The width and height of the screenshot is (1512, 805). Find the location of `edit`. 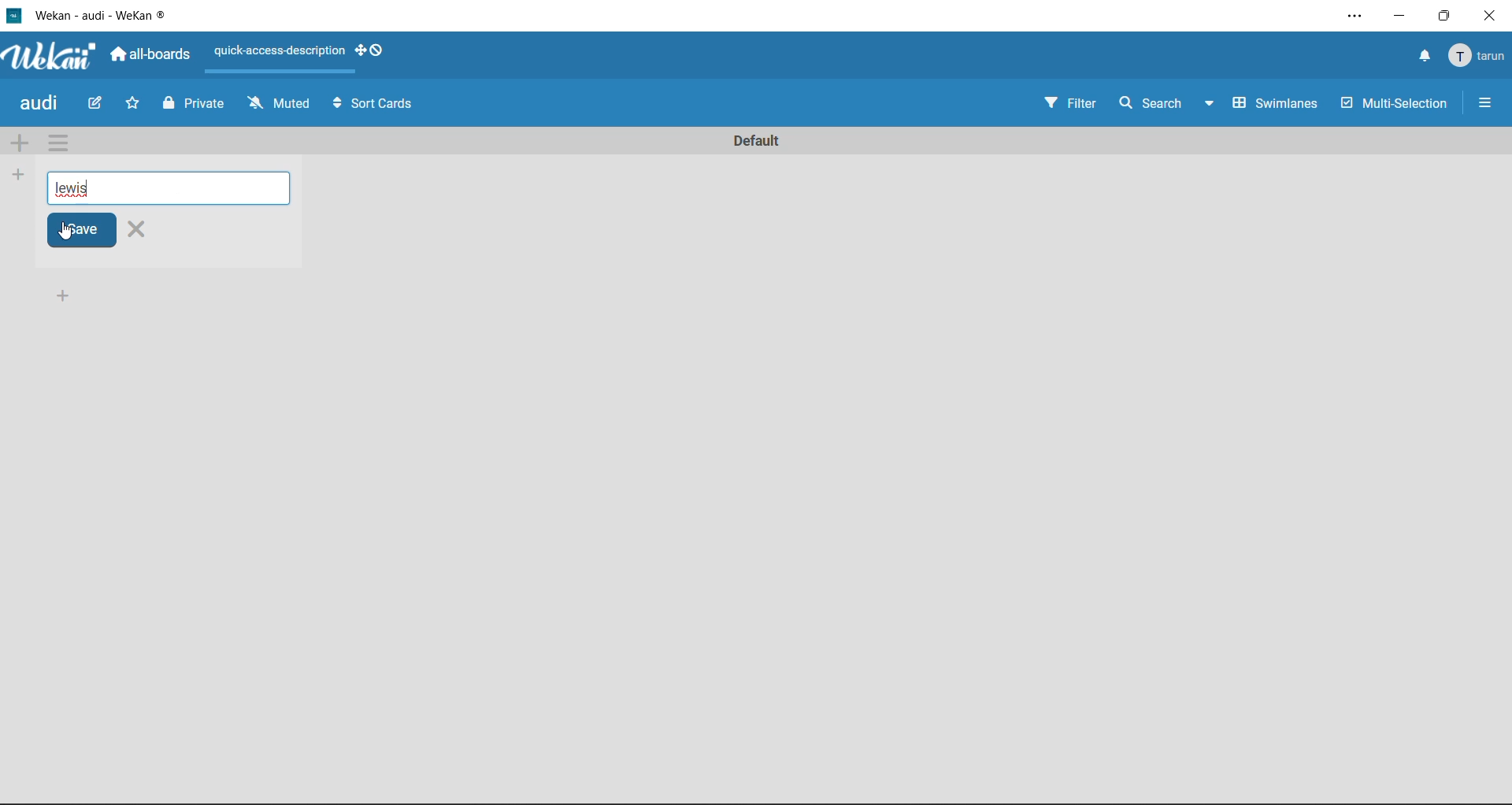

edit is located at coordinates (98, 106).